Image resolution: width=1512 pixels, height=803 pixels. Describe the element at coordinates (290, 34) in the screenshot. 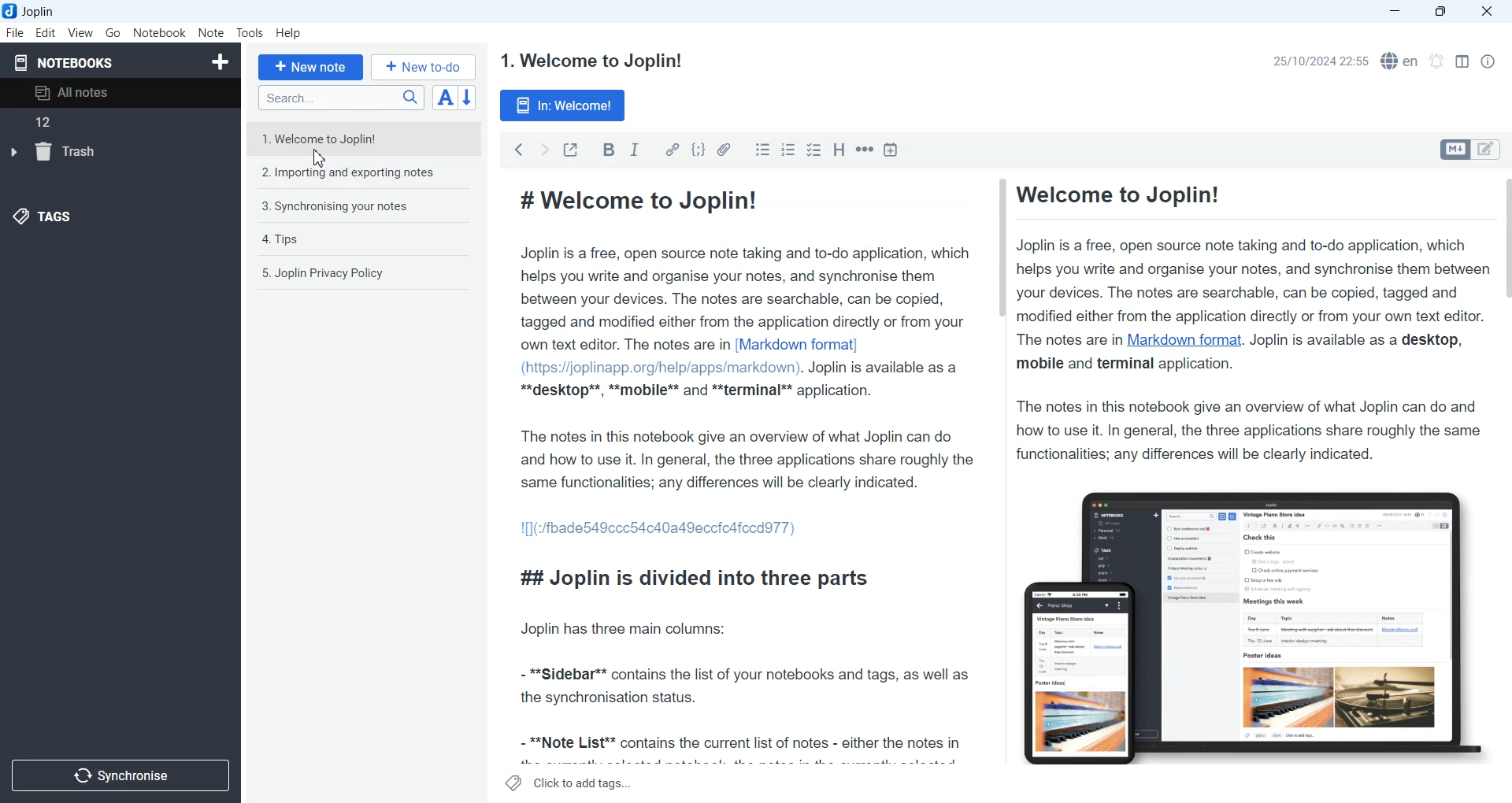

I see `Help` at that location.